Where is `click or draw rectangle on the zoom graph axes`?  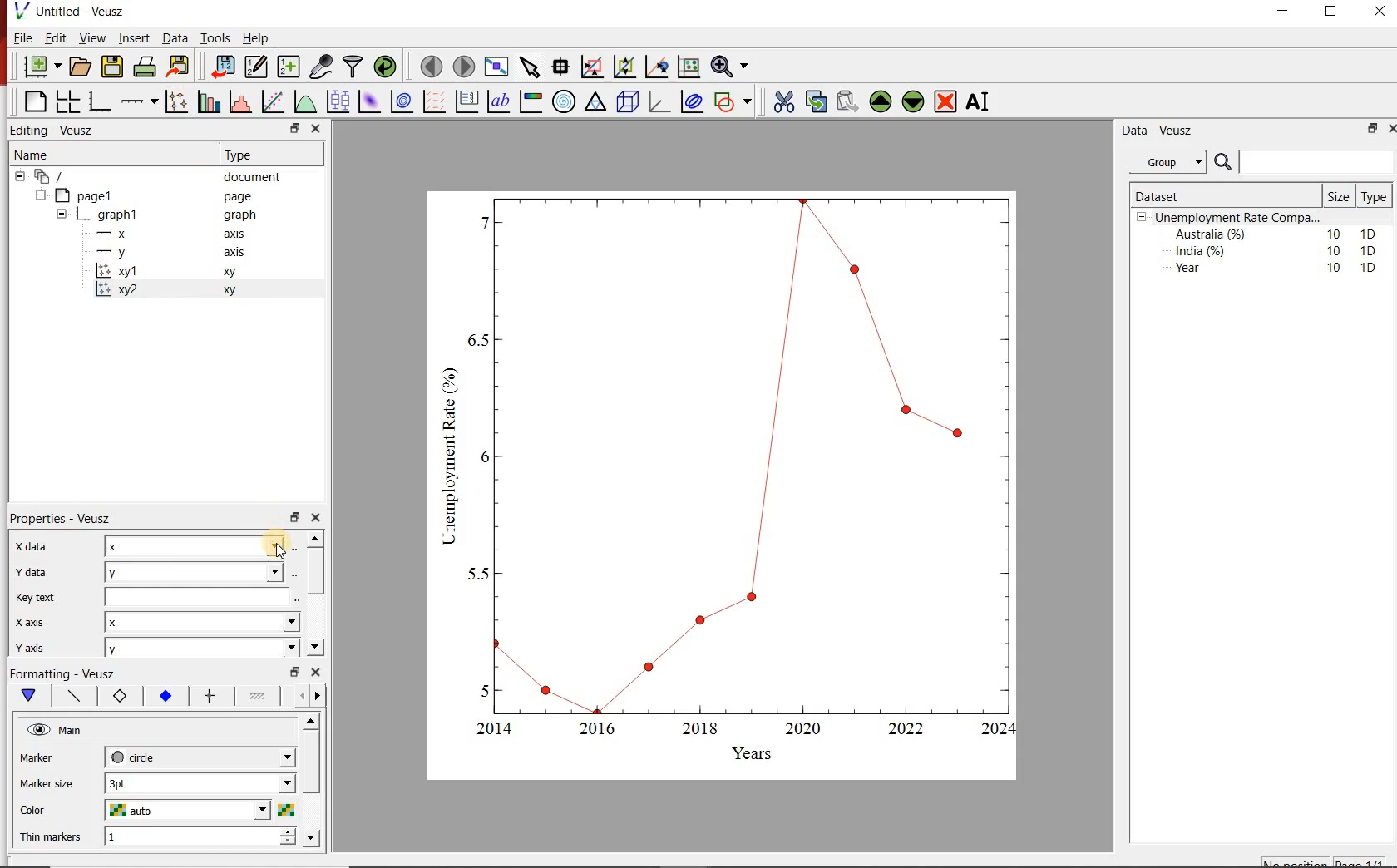 click or draw rectangle on the zoom graph axes is located at coordinates (593, 67).